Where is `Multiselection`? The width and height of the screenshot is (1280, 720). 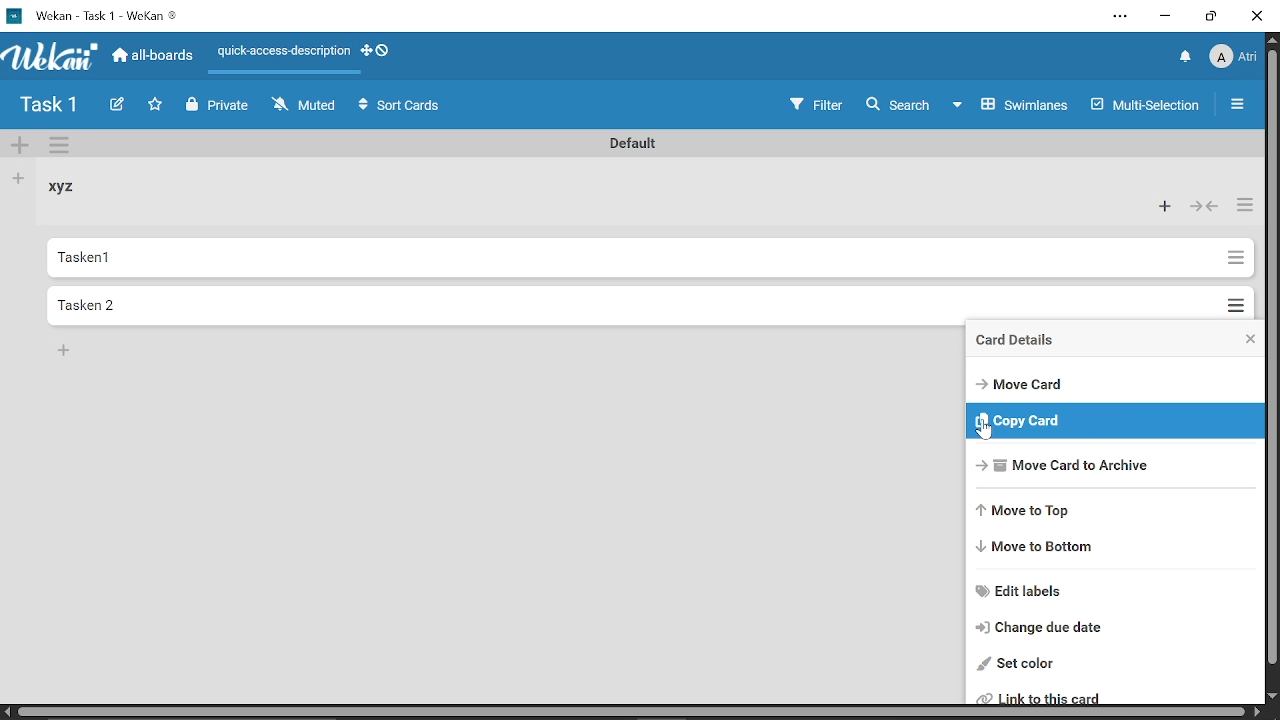 Multiselection is located at coordinates (1147, 104).